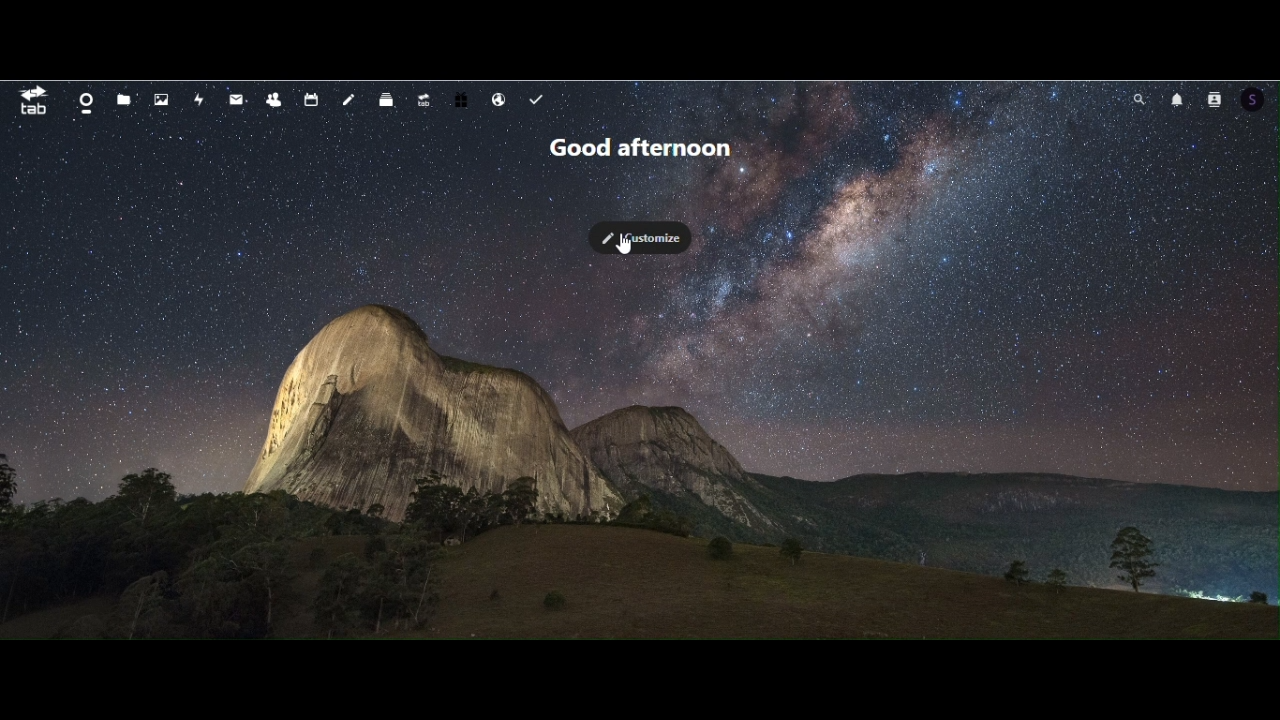 The height and width of the screenshot is (720, 1280). What do you see at coordinates (1138, 97) in the screenshot?
I see `search` at bounding box center [1138, 97].